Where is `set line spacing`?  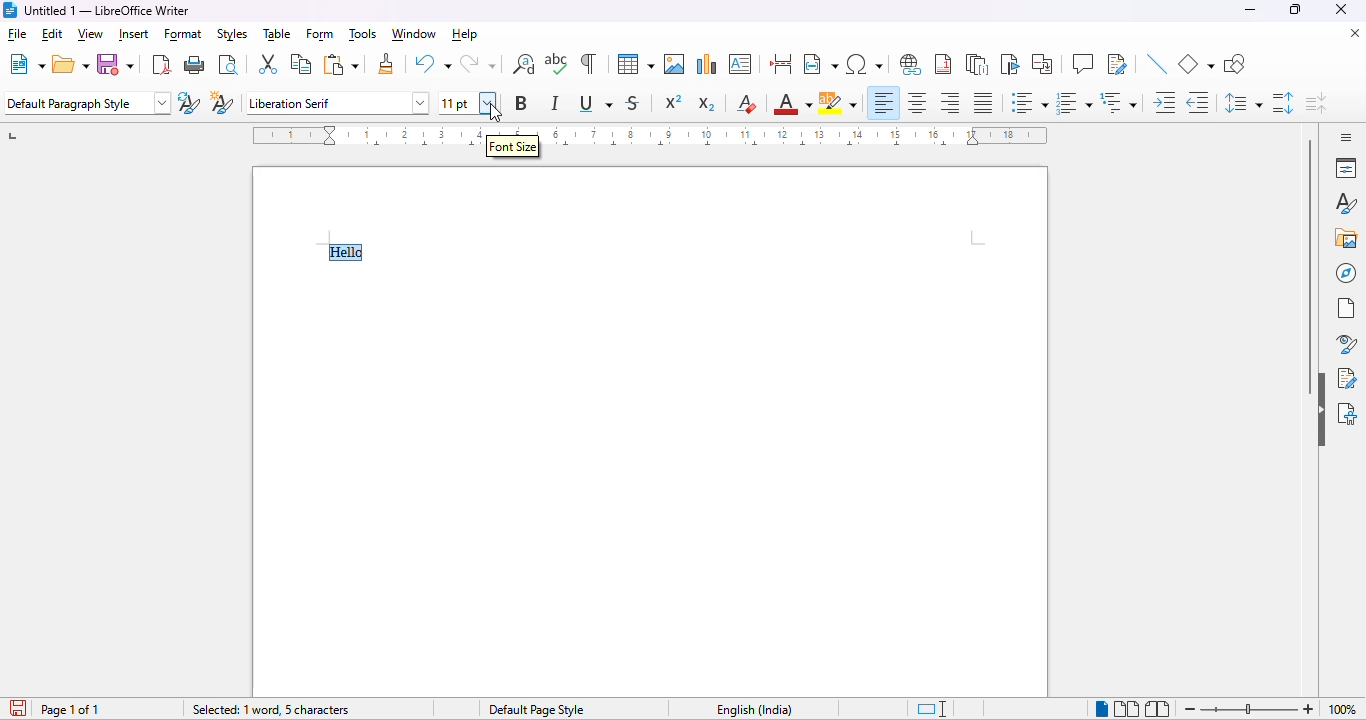
set line spacing is located at coordinates (1243, 104).